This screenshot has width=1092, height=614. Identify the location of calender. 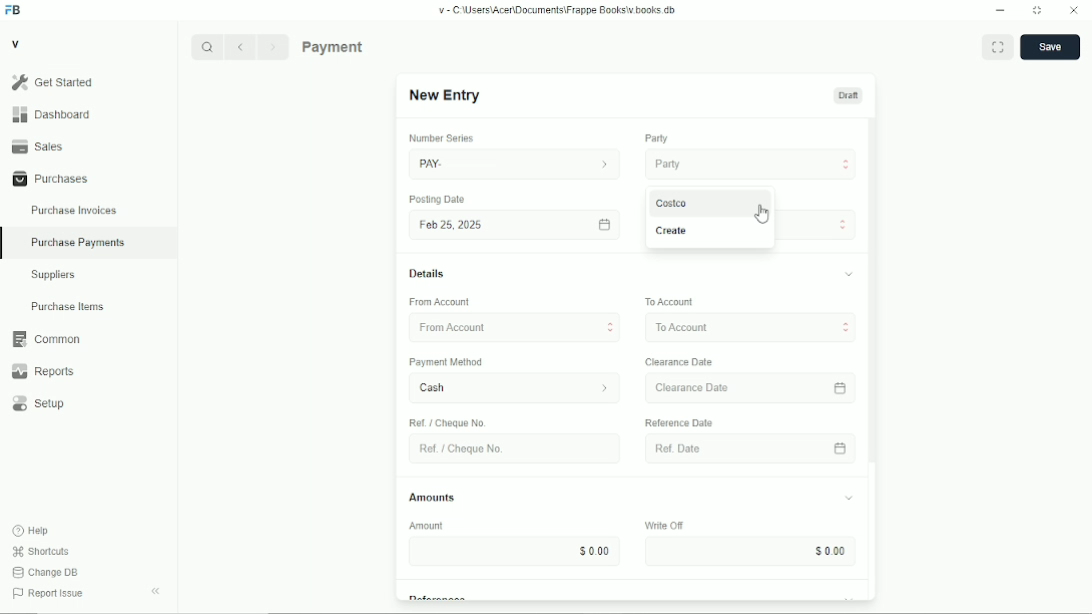
(842, 448).